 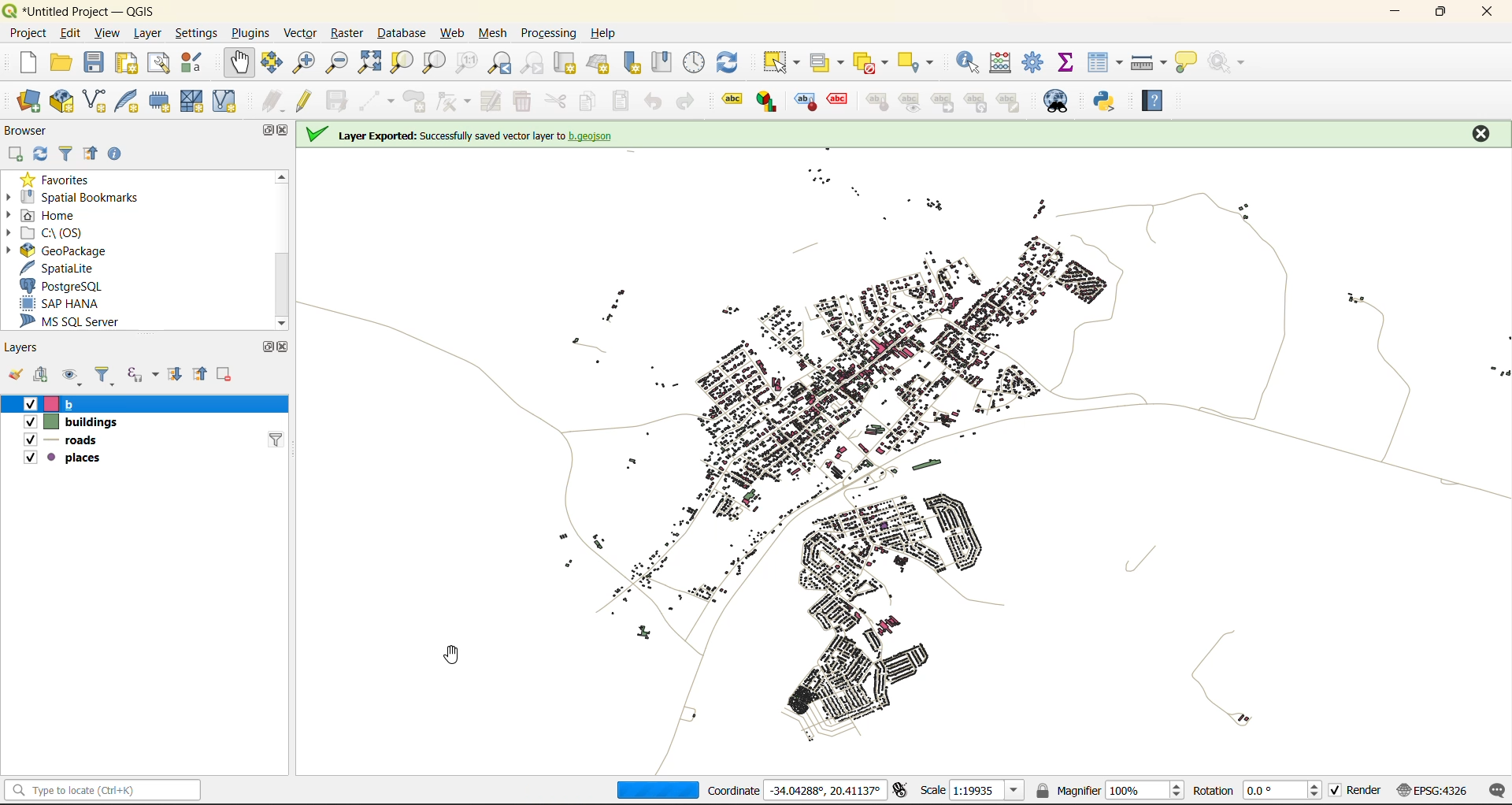 I want to click on add polygon, so click(x=417, y=102).